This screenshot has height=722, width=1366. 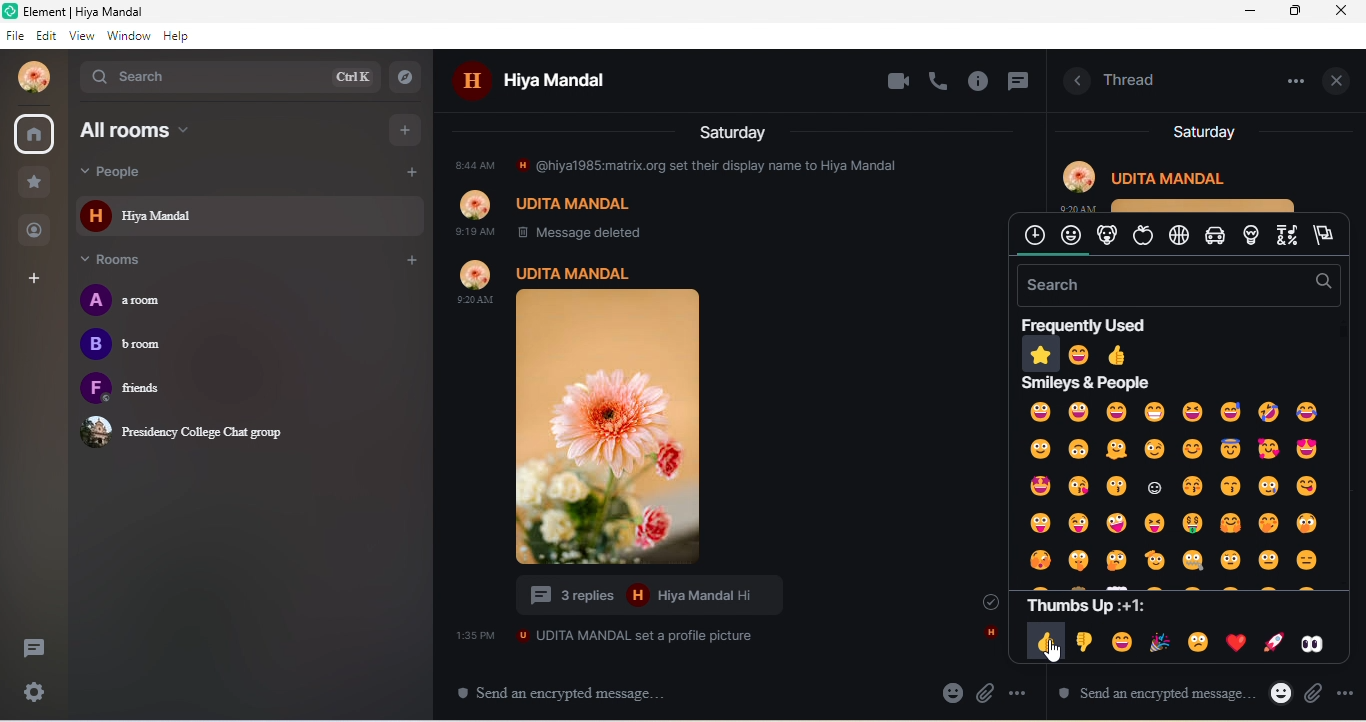 I want to click on explore, so click(x=409, y=76).